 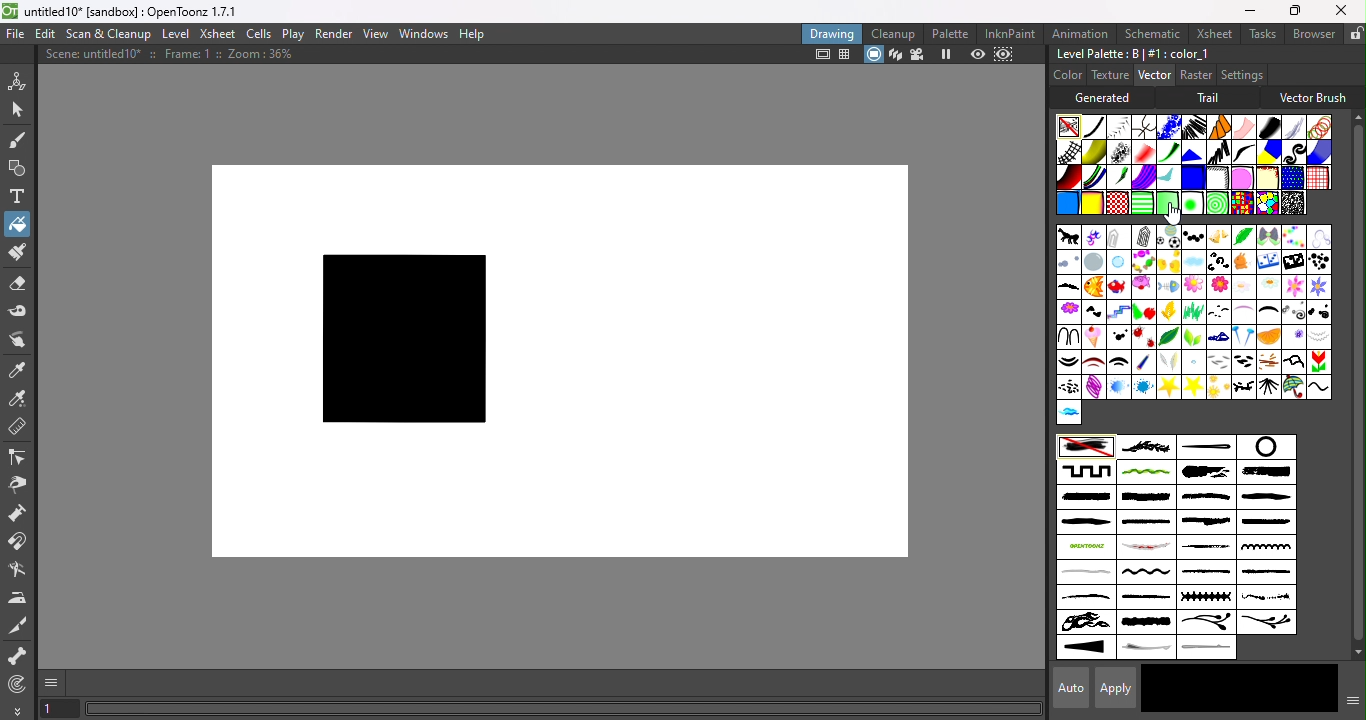 I want to click on star, so click(x=1168, y=387).